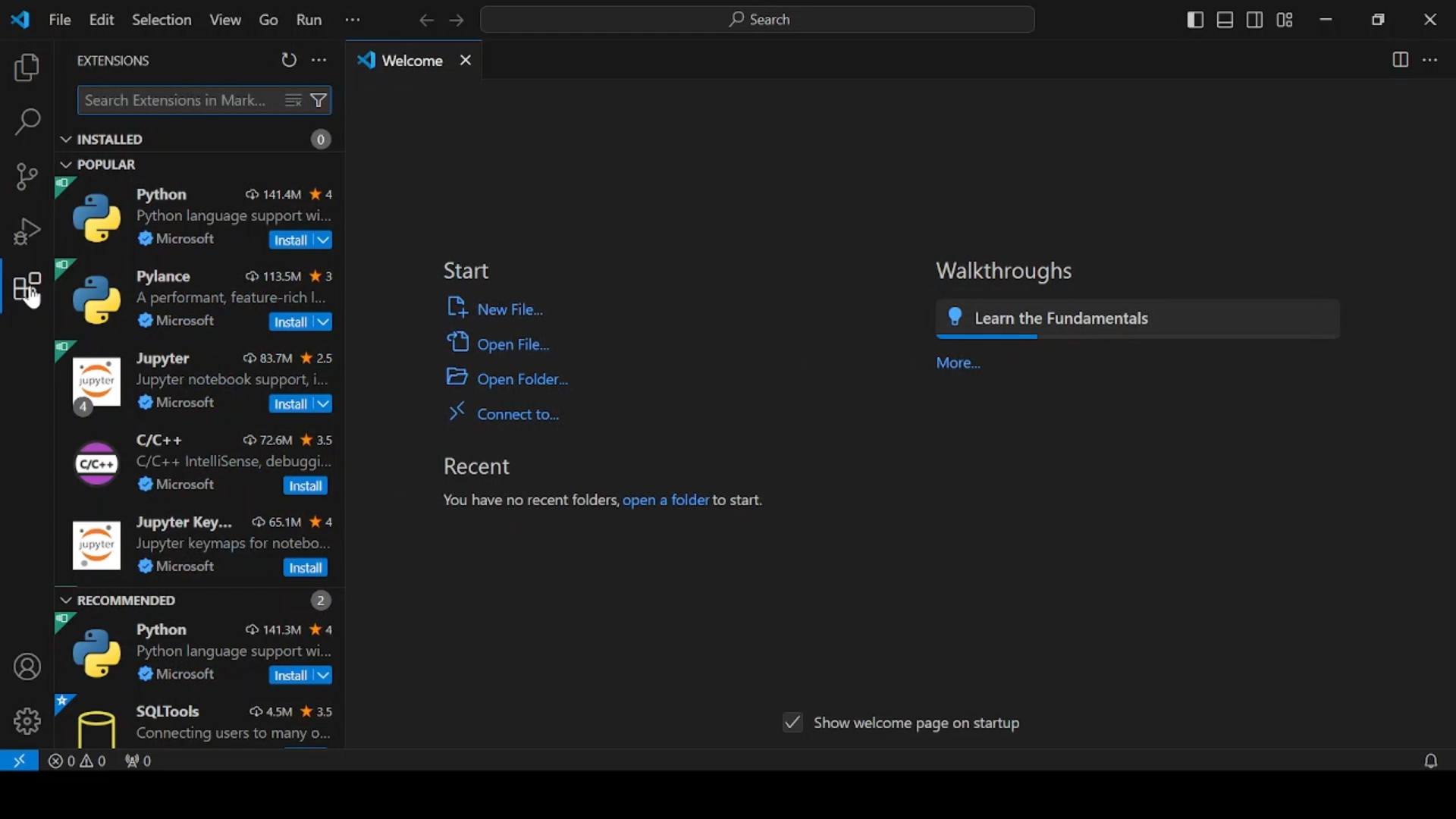  Describe the element at coordinates (28, 123) in the screenshot. I see `search` at that location.